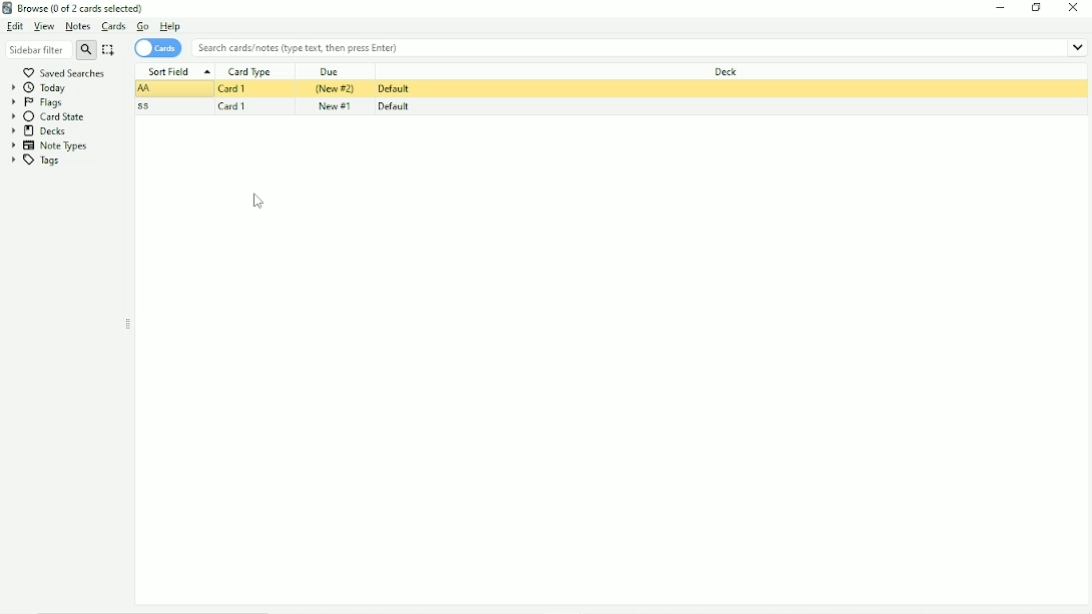  Describe the element at coordinates (48, 50) in the screenshot. I see `Sidebar filter` at that location.